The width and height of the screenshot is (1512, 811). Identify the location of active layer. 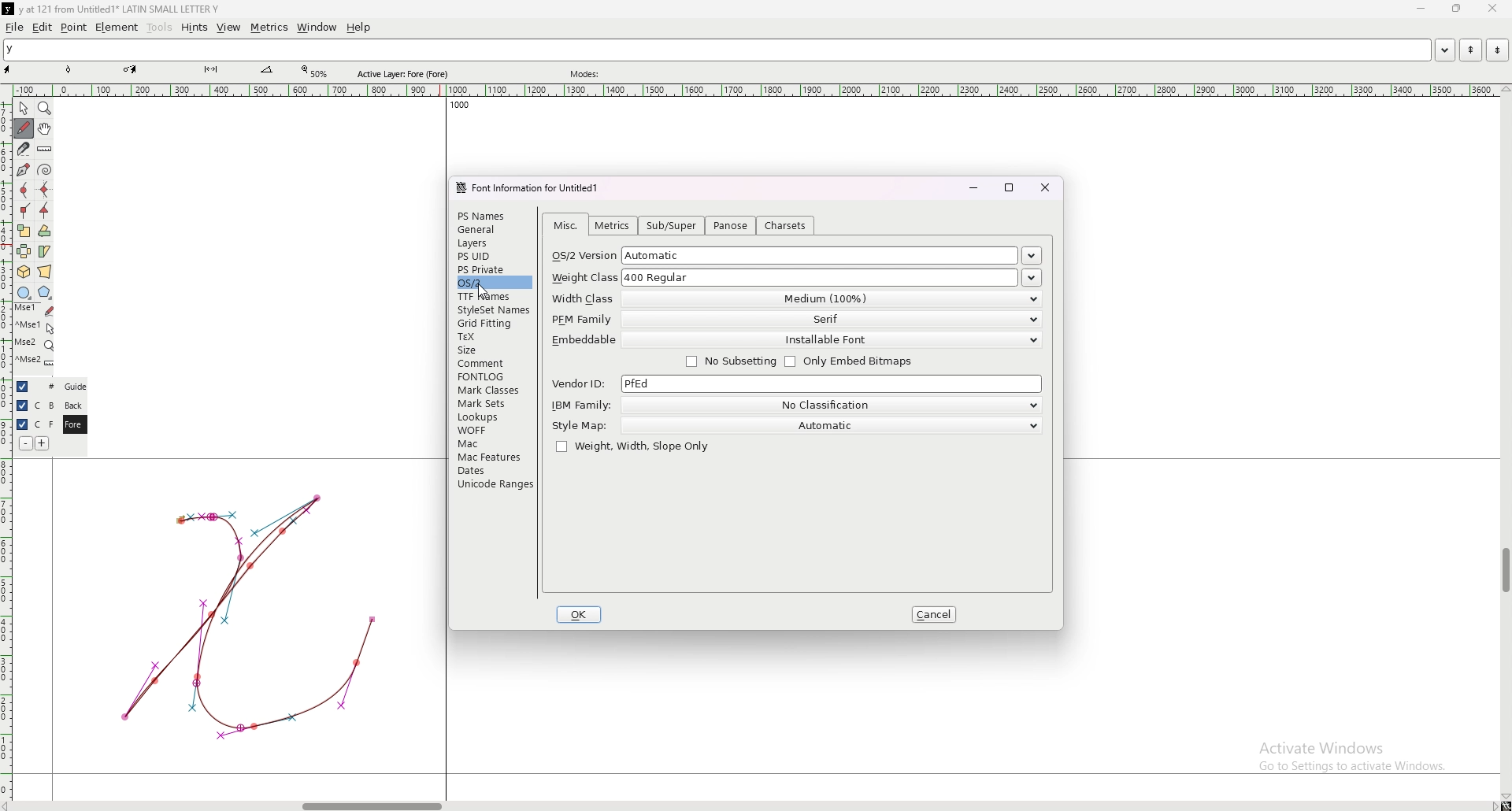
(406, 74).